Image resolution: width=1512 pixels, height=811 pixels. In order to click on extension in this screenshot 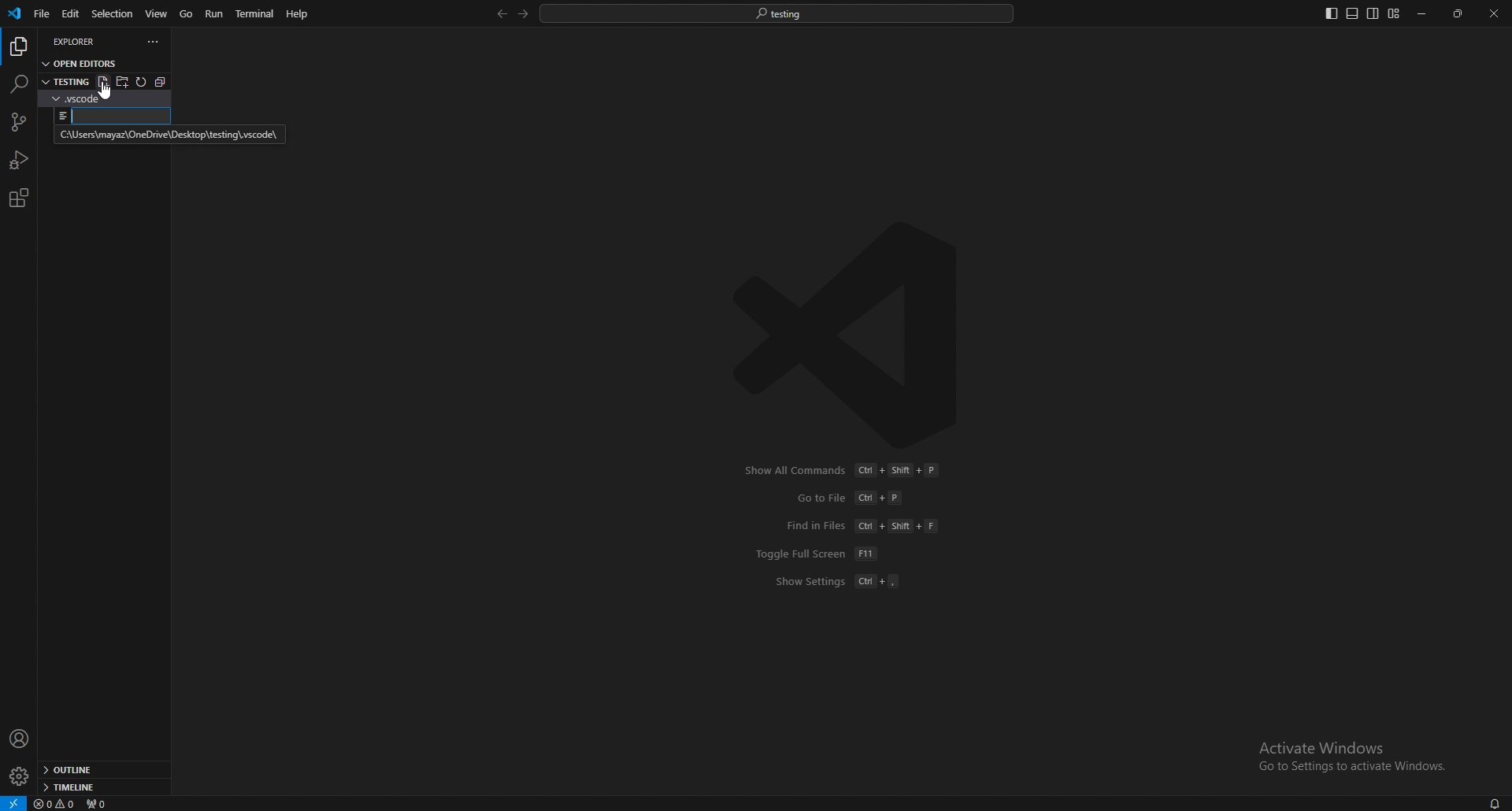, I will do `click(18, 198)`.